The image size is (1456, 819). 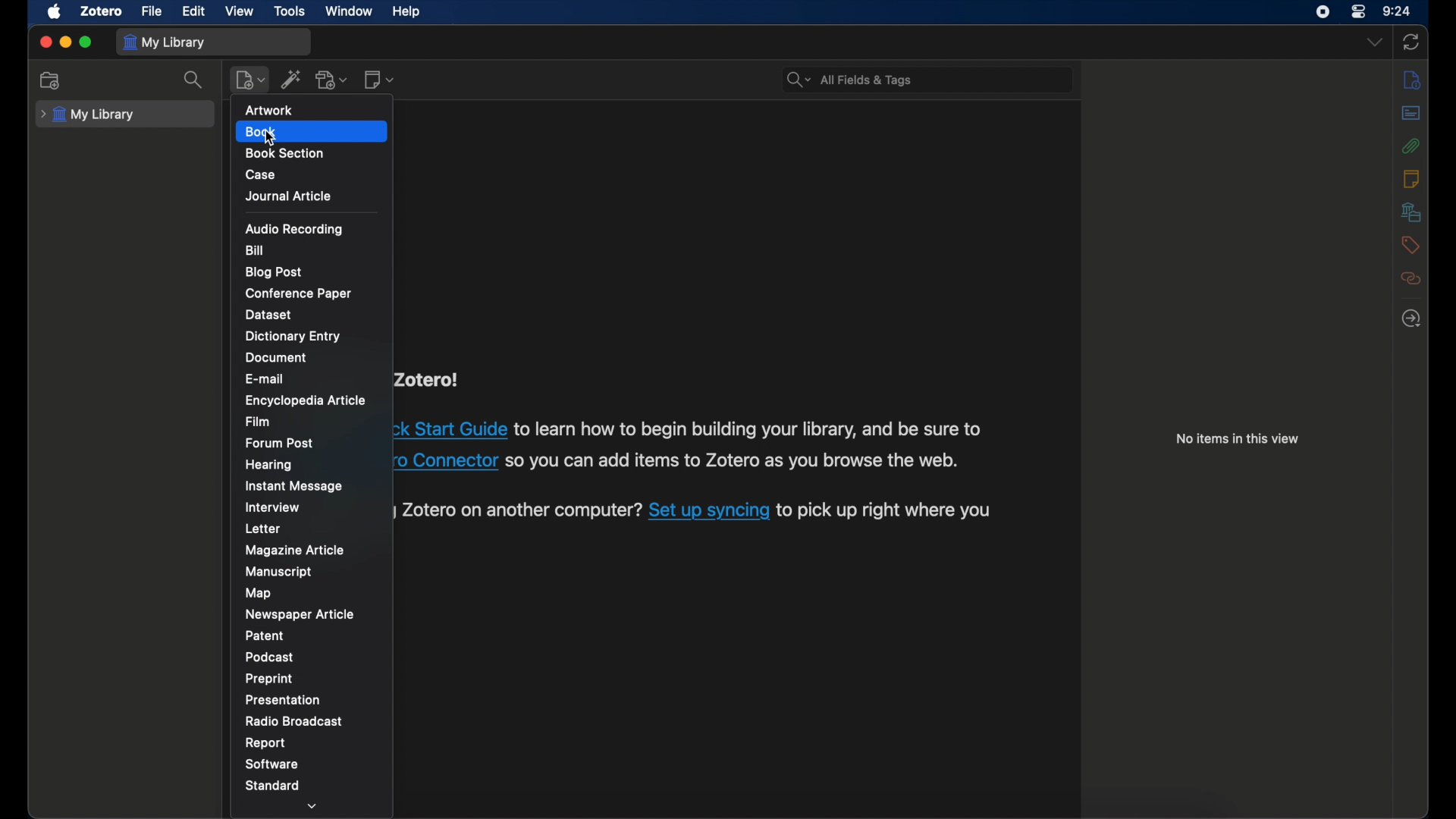 What do you see at coordinates (1410, 213) in the screenshot?
I see `libraries` at bounding box center [1410, 213].